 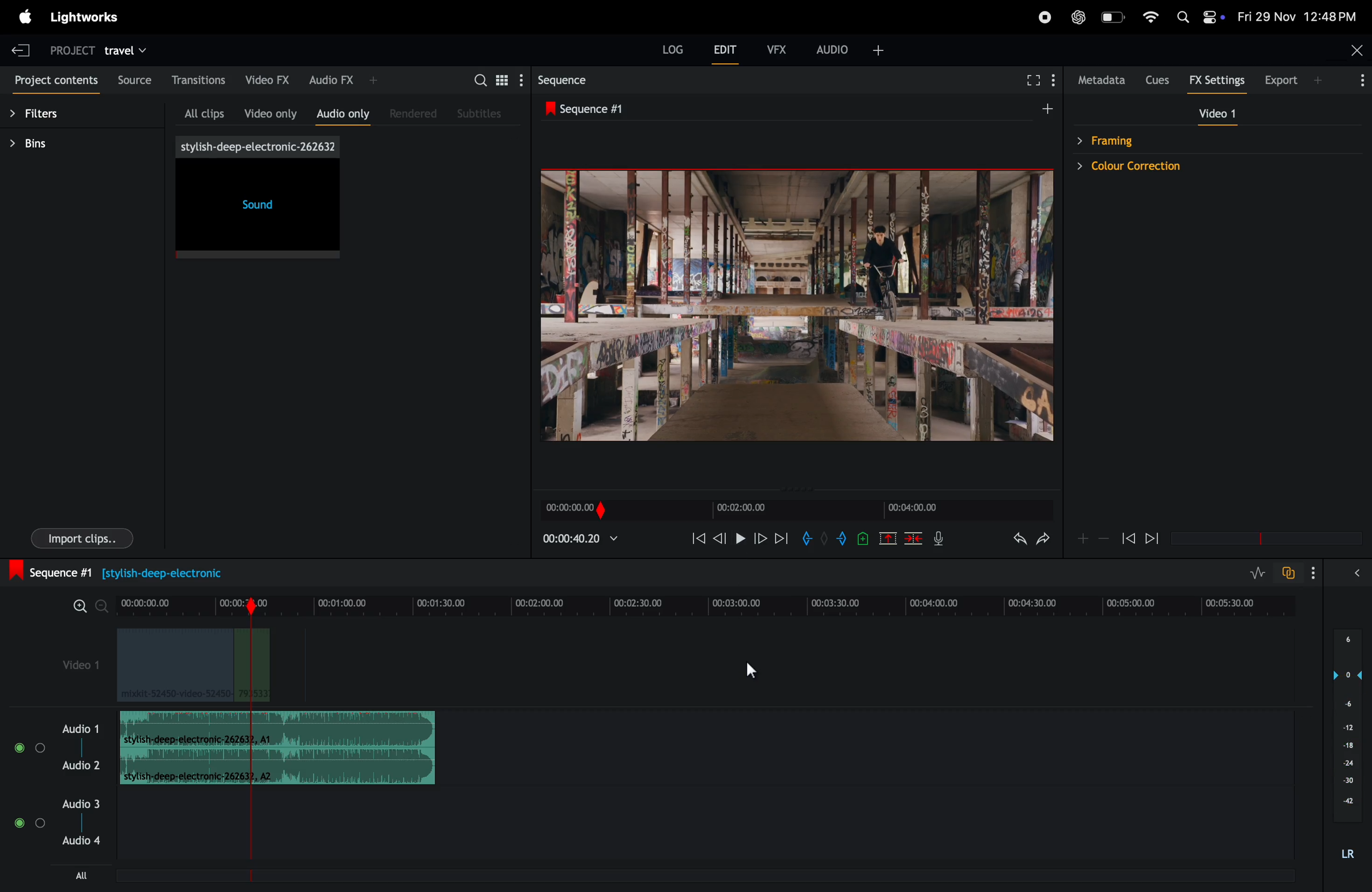 What do you see at coordinates (1039, 109) in the screenshot?
I see `add` at bounding box center [1039, 109].